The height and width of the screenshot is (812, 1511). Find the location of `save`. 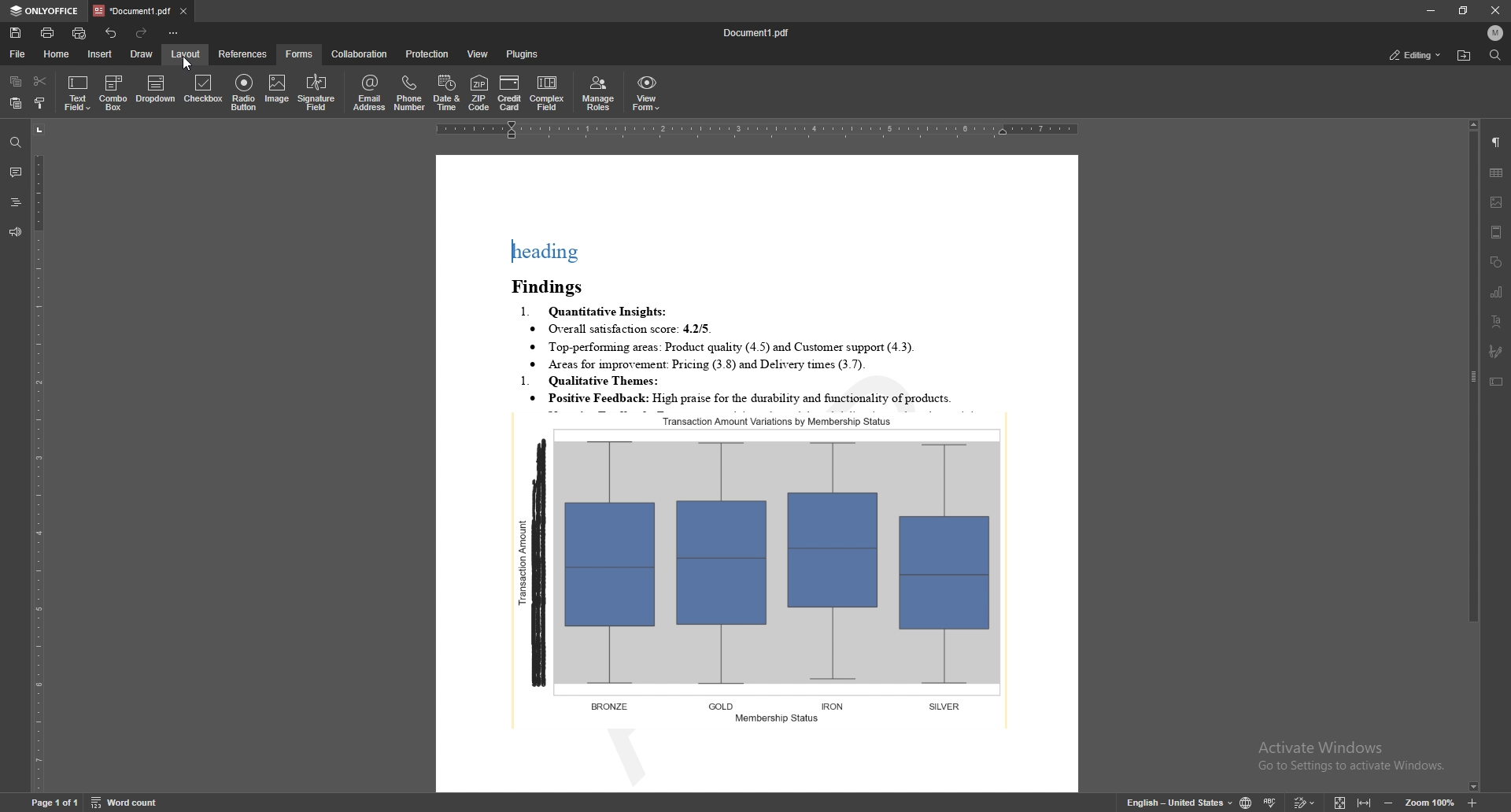

save is located at coordinates (16, 32).